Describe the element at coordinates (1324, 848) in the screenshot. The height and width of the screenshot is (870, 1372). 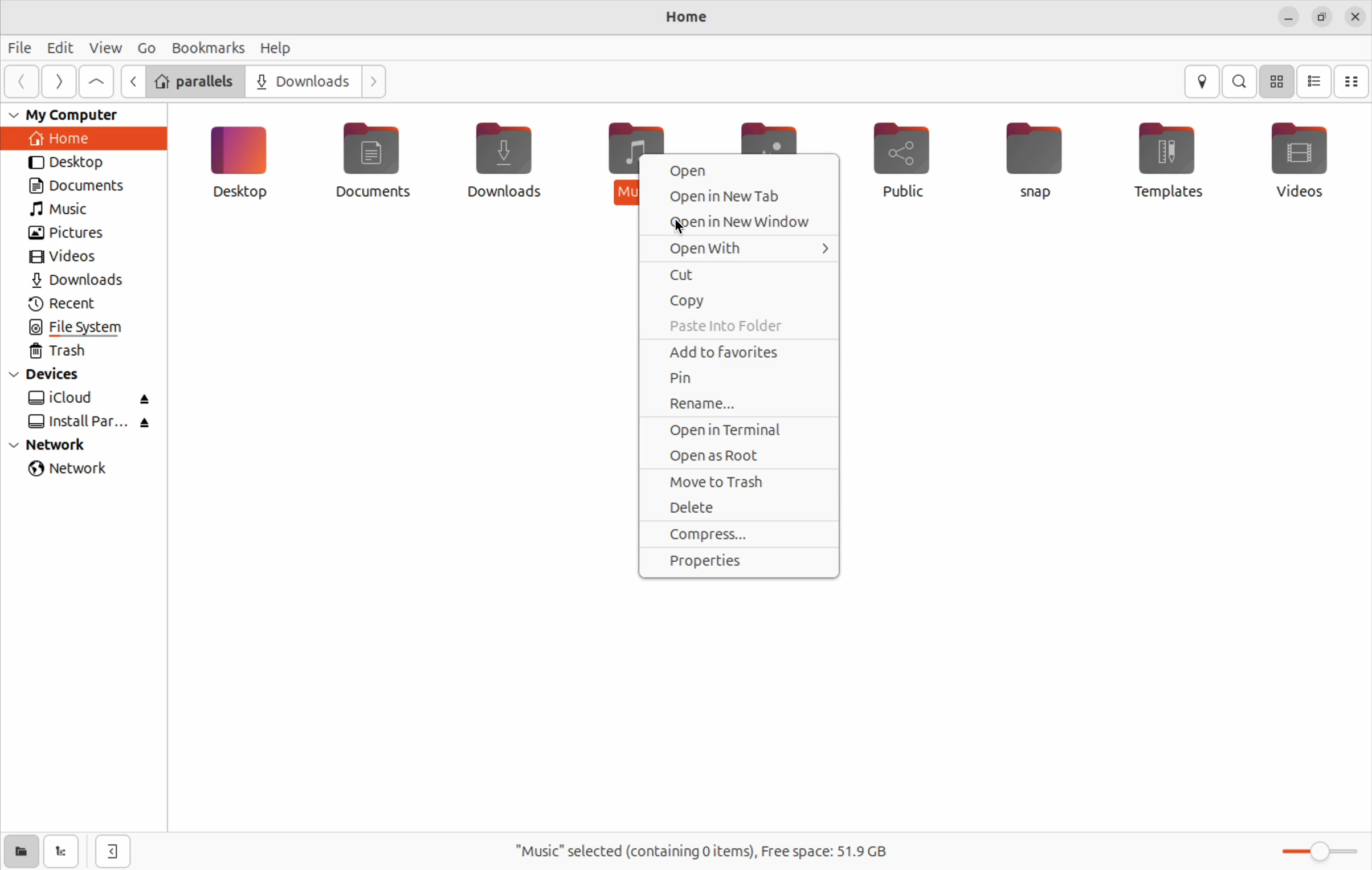
I see `Toggle zoom` at that location.